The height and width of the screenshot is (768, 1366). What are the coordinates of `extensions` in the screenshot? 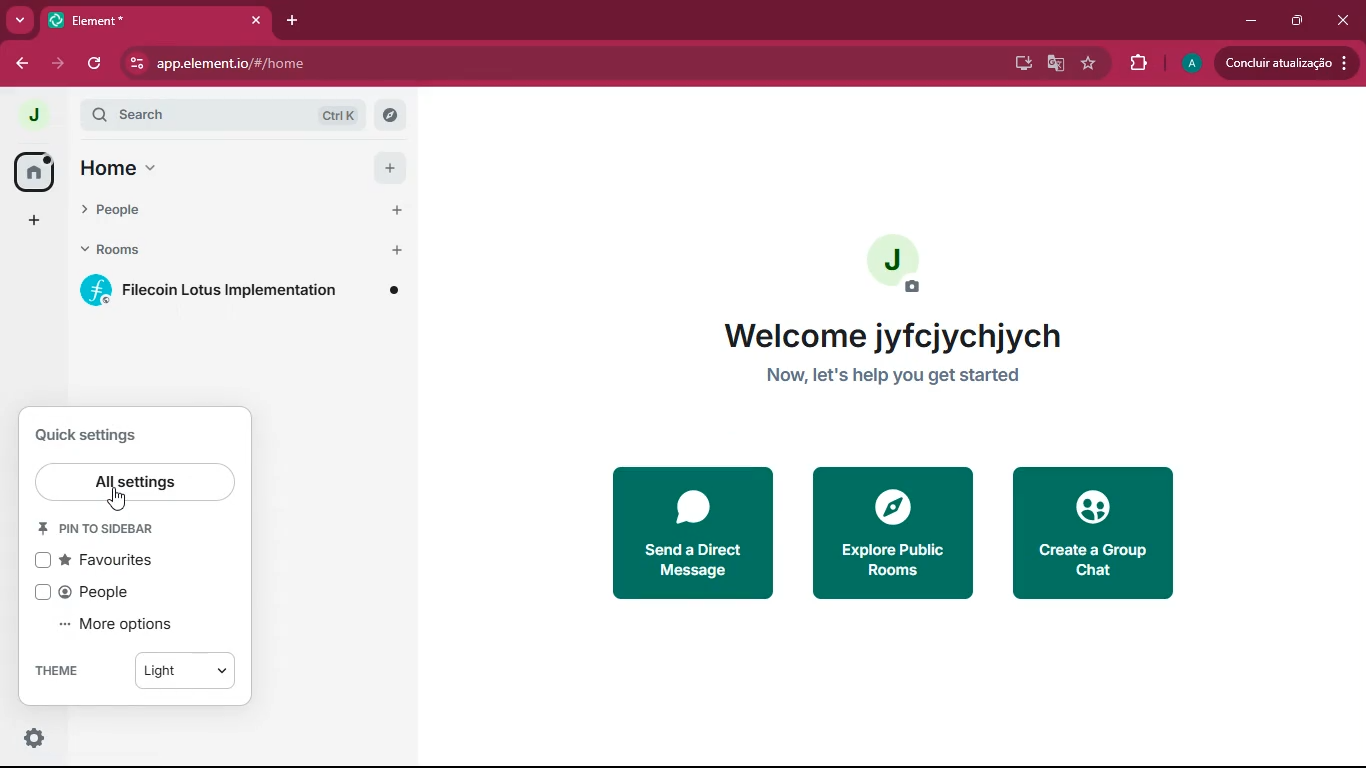 It's located at (1140, 63).